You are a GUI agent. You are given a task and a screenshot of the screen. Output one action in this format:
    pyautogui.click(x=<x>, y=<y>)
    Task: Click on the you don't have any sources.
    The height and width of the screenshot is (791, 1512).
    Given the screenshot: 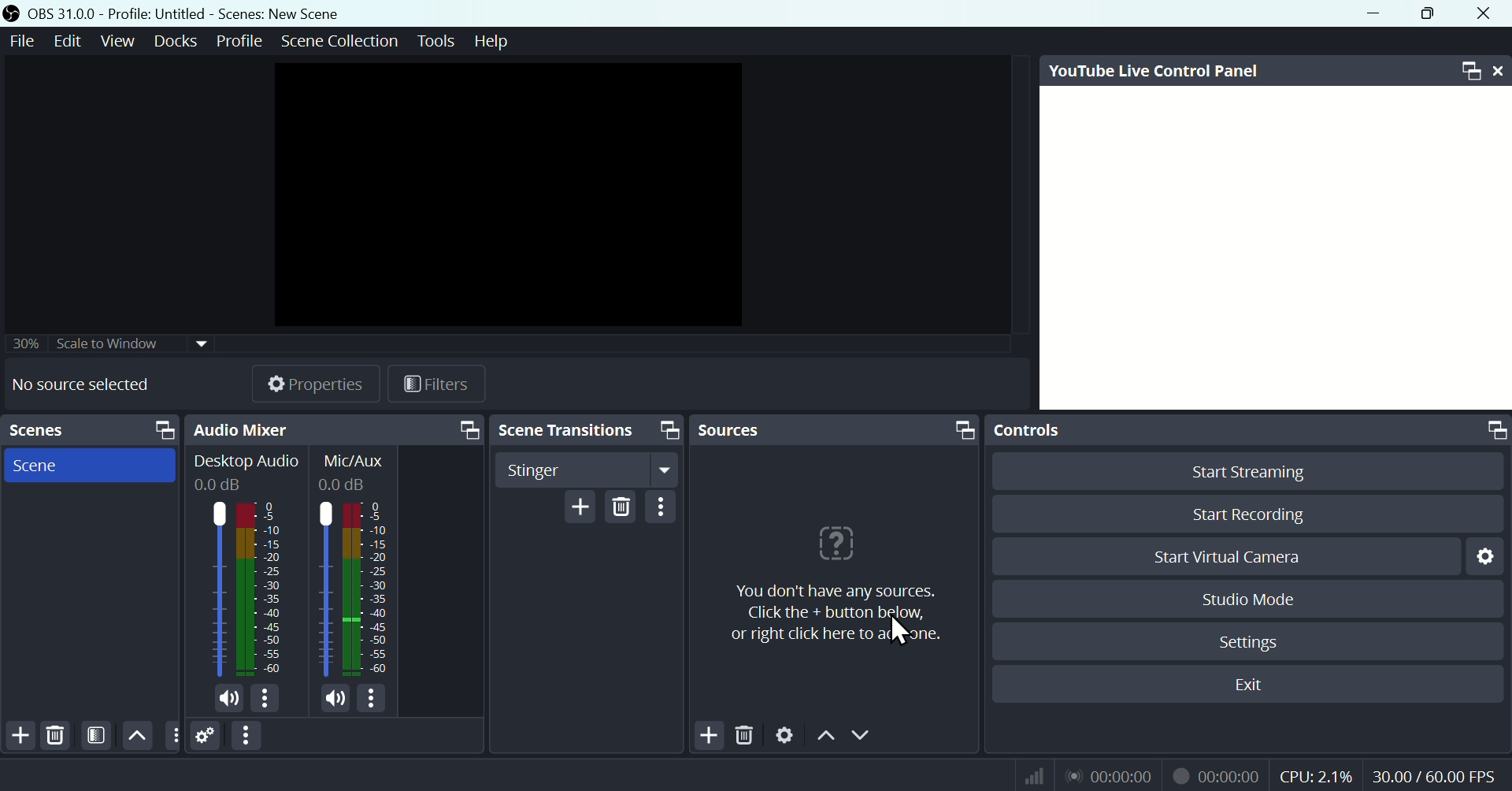 What is the action you would take?
    pyautogui.click(x=836, y=615)
    